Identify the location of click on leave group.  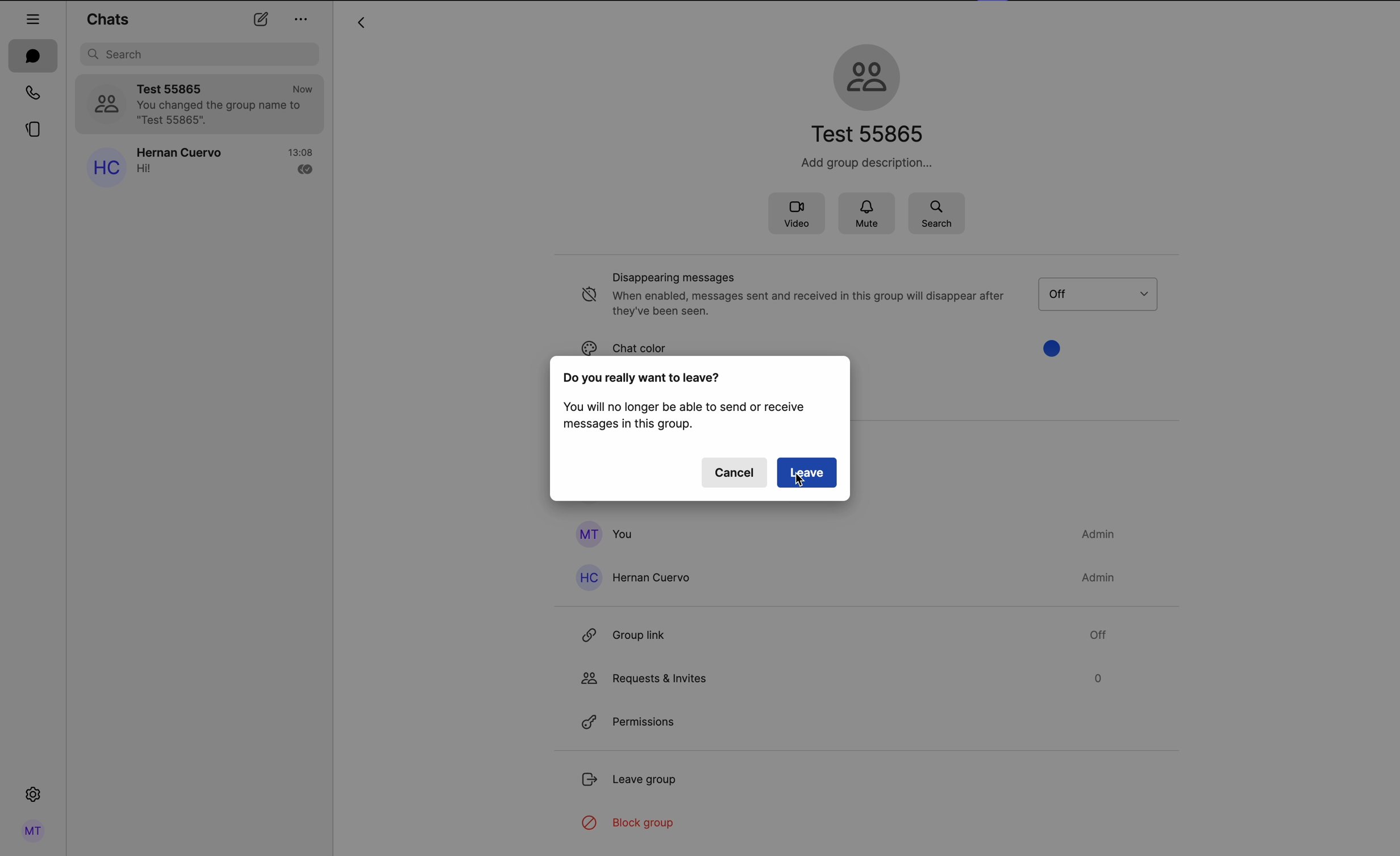
(634, 779).